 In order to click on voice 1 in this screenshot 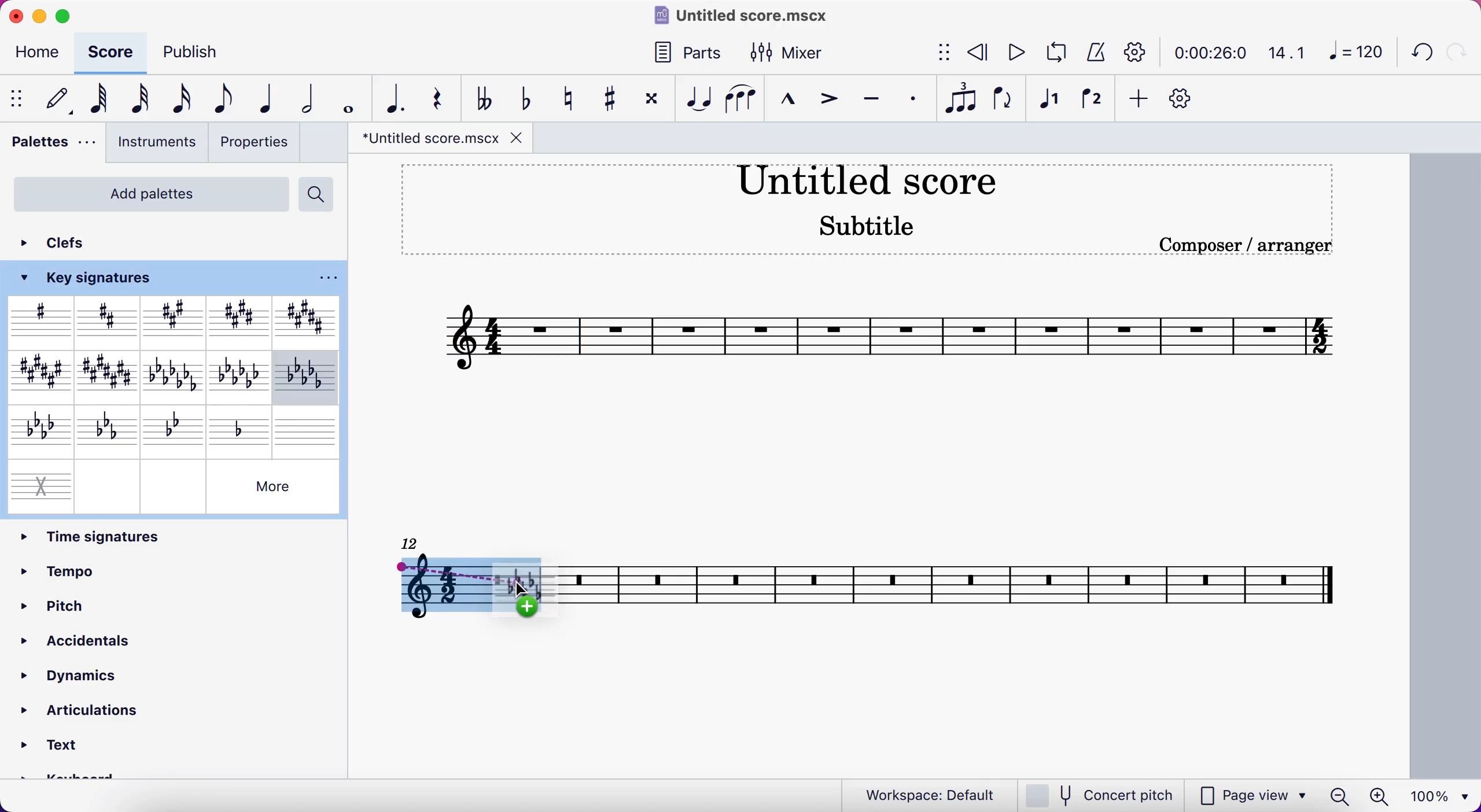, I will do `click(1053, 102)`.